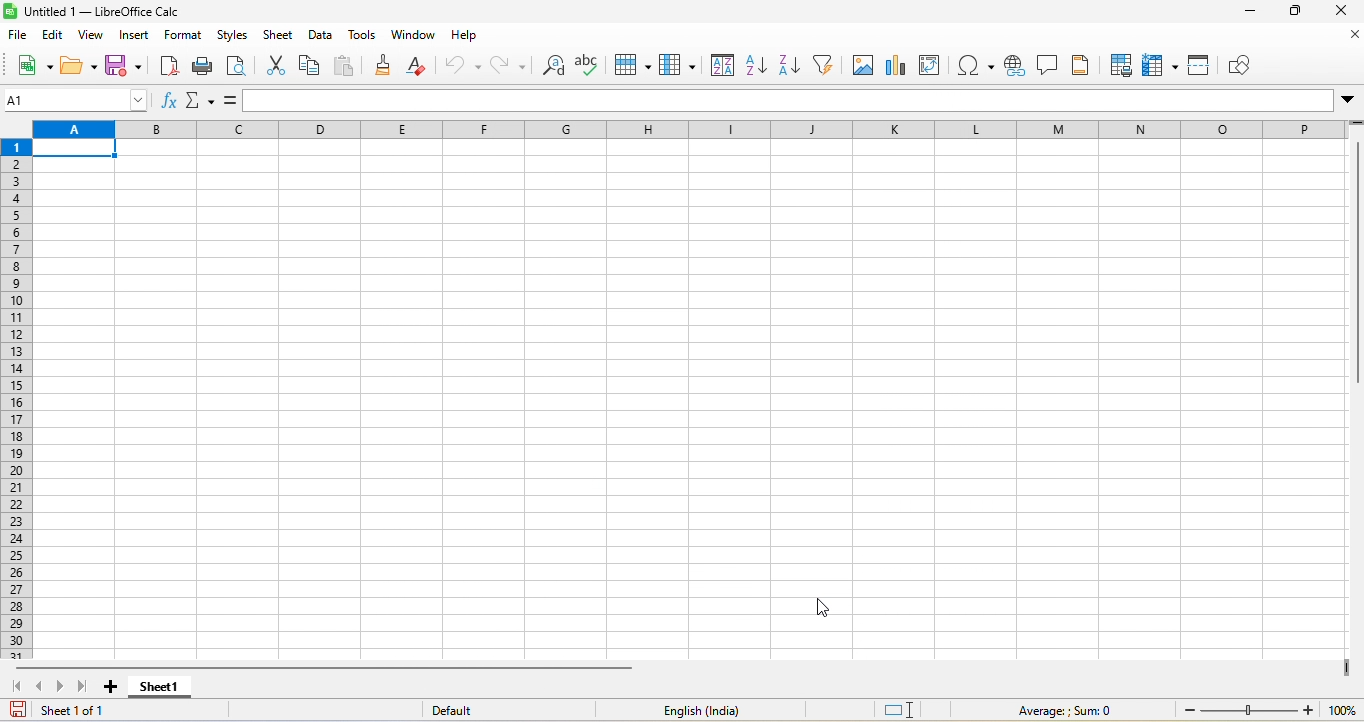  I want to click on find and replace, so click(550, 67).